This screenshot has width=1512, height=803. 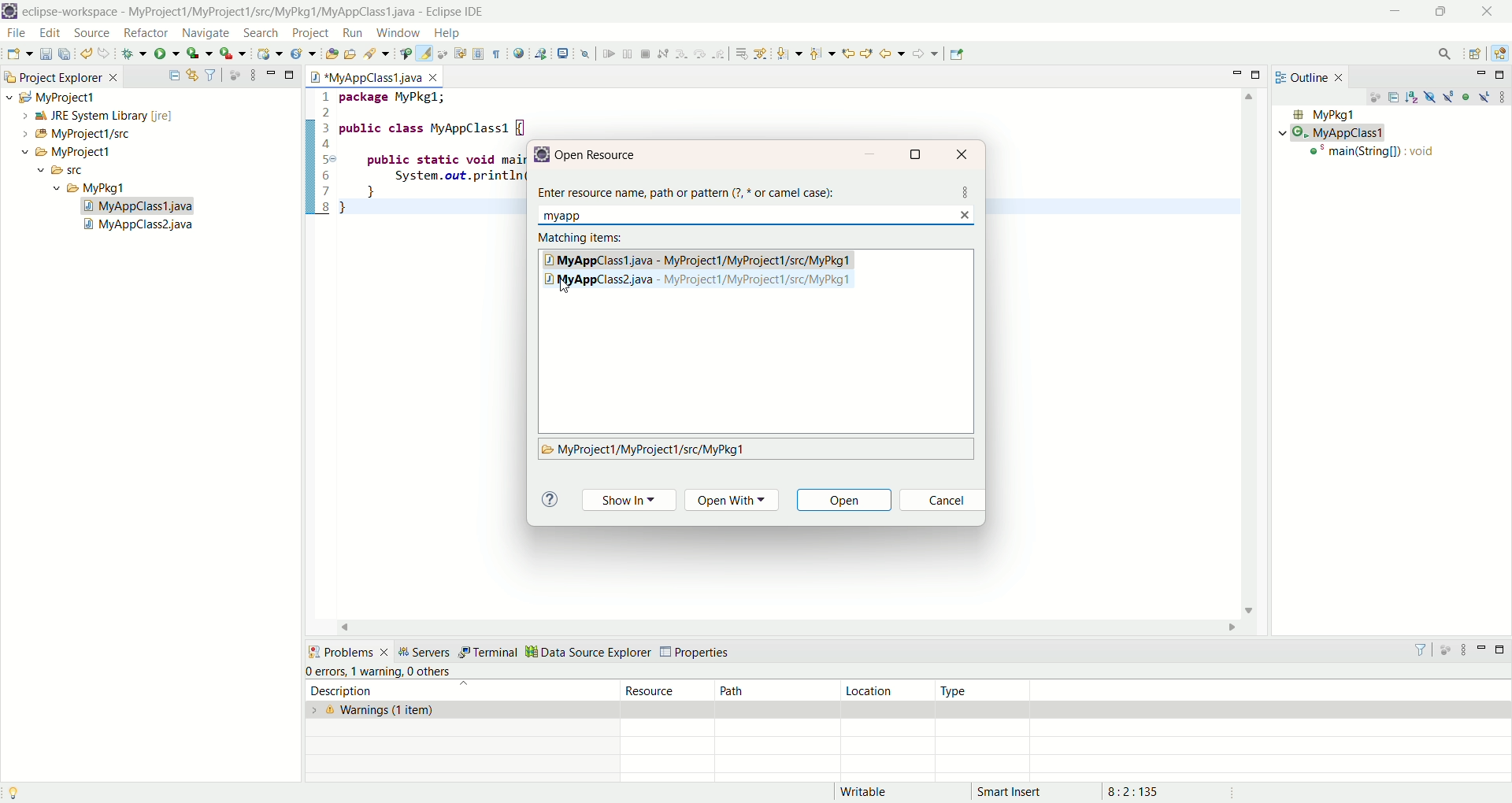 I want to click on terminate, so click(x=646, y=54).